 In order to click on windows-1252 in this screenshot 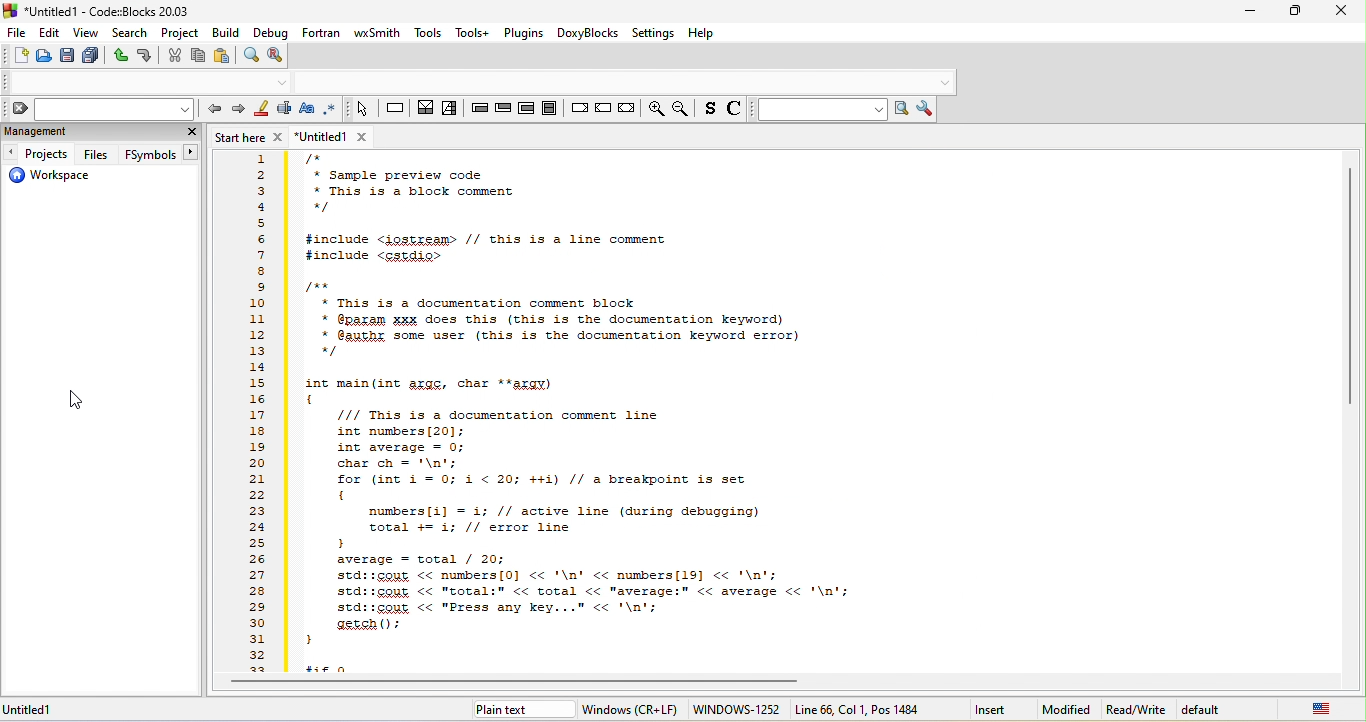, I will do `click(735, 709)`.